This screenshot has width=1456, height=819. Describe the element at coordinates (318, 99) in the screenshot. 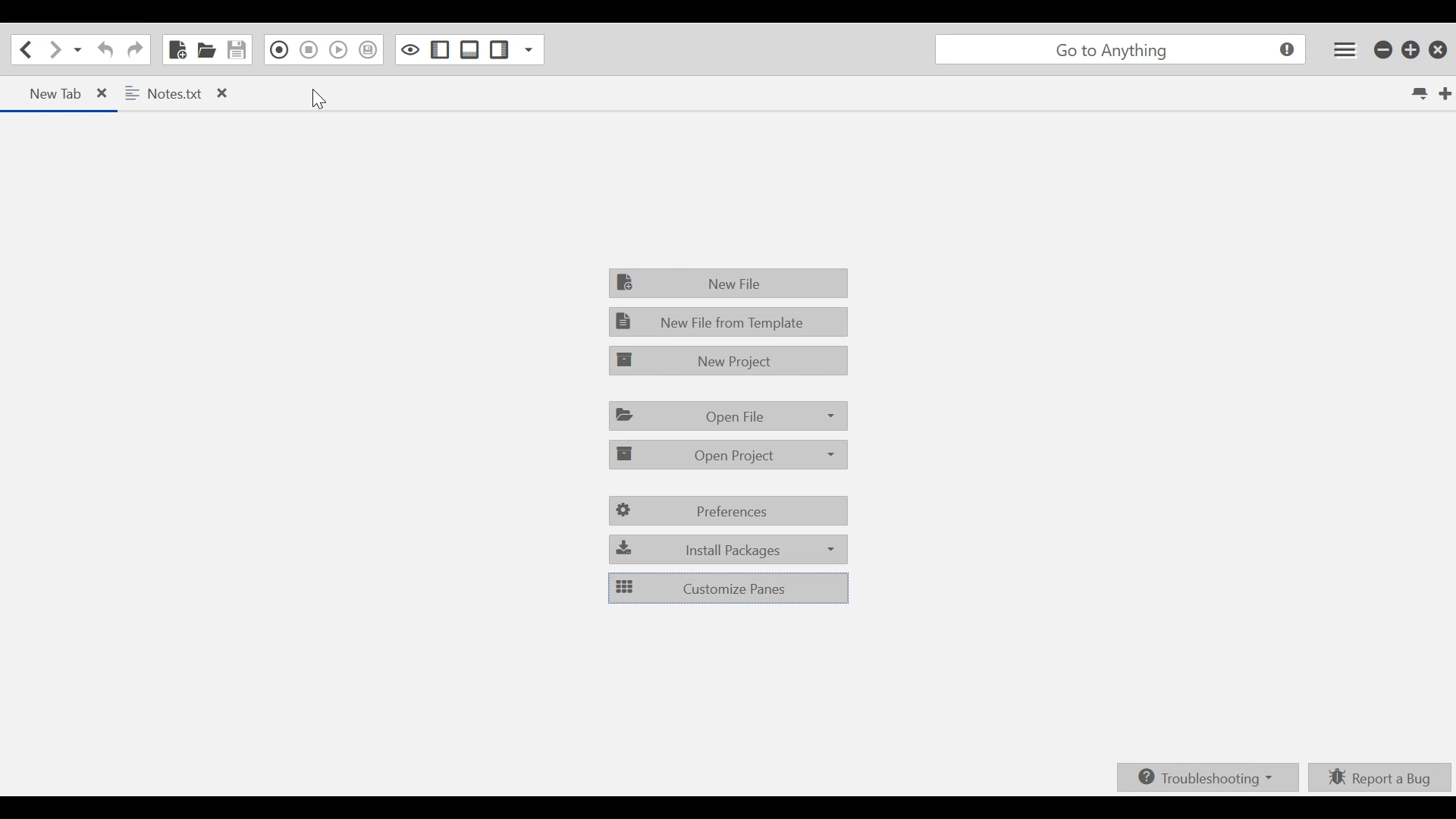

I see `Cursor` at that location.